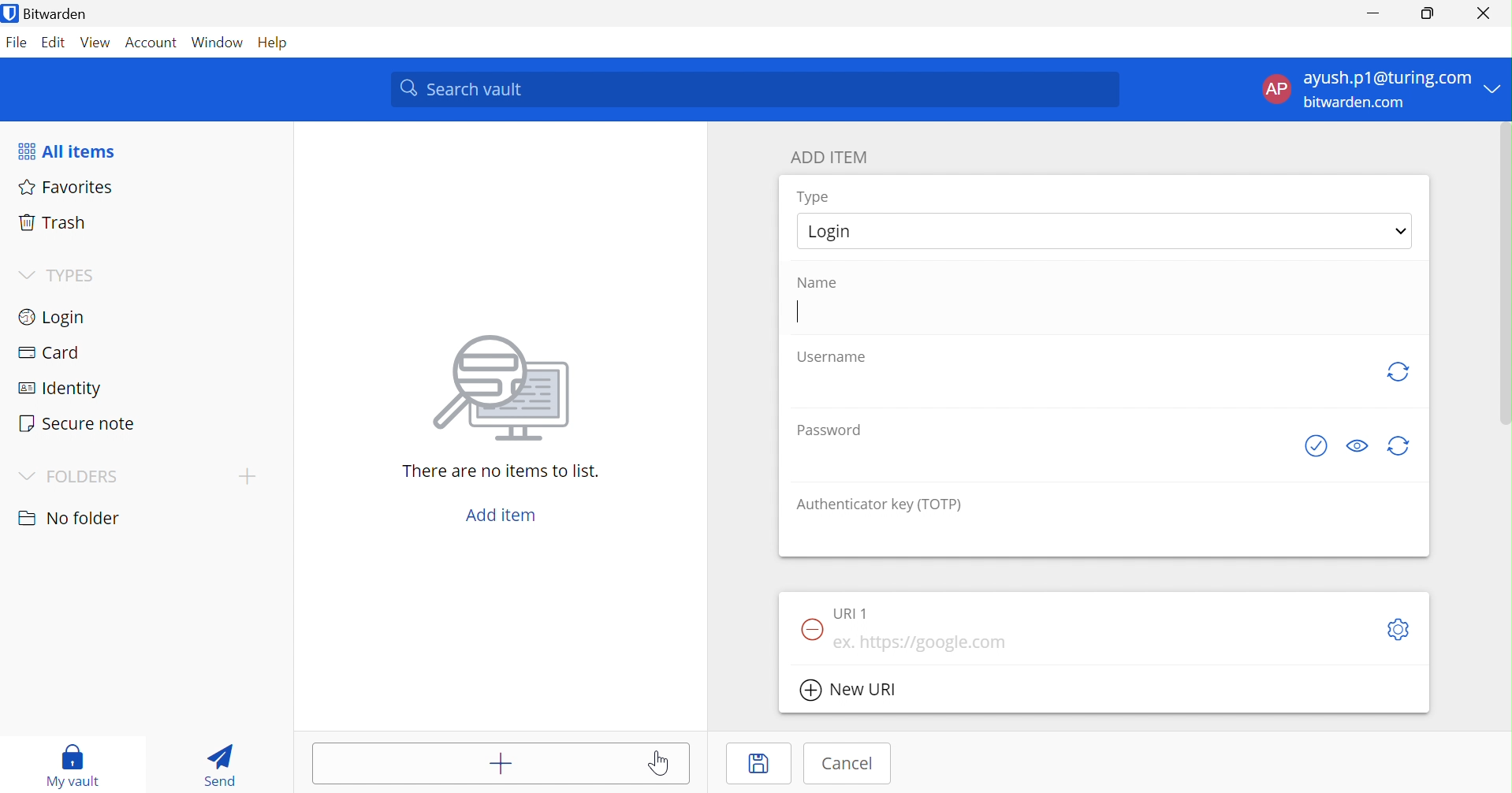 This screenshot has height=793, width=1512. Describe the element at coordinates (67, 188) in the screenshot. I see `Favorites` at that location.